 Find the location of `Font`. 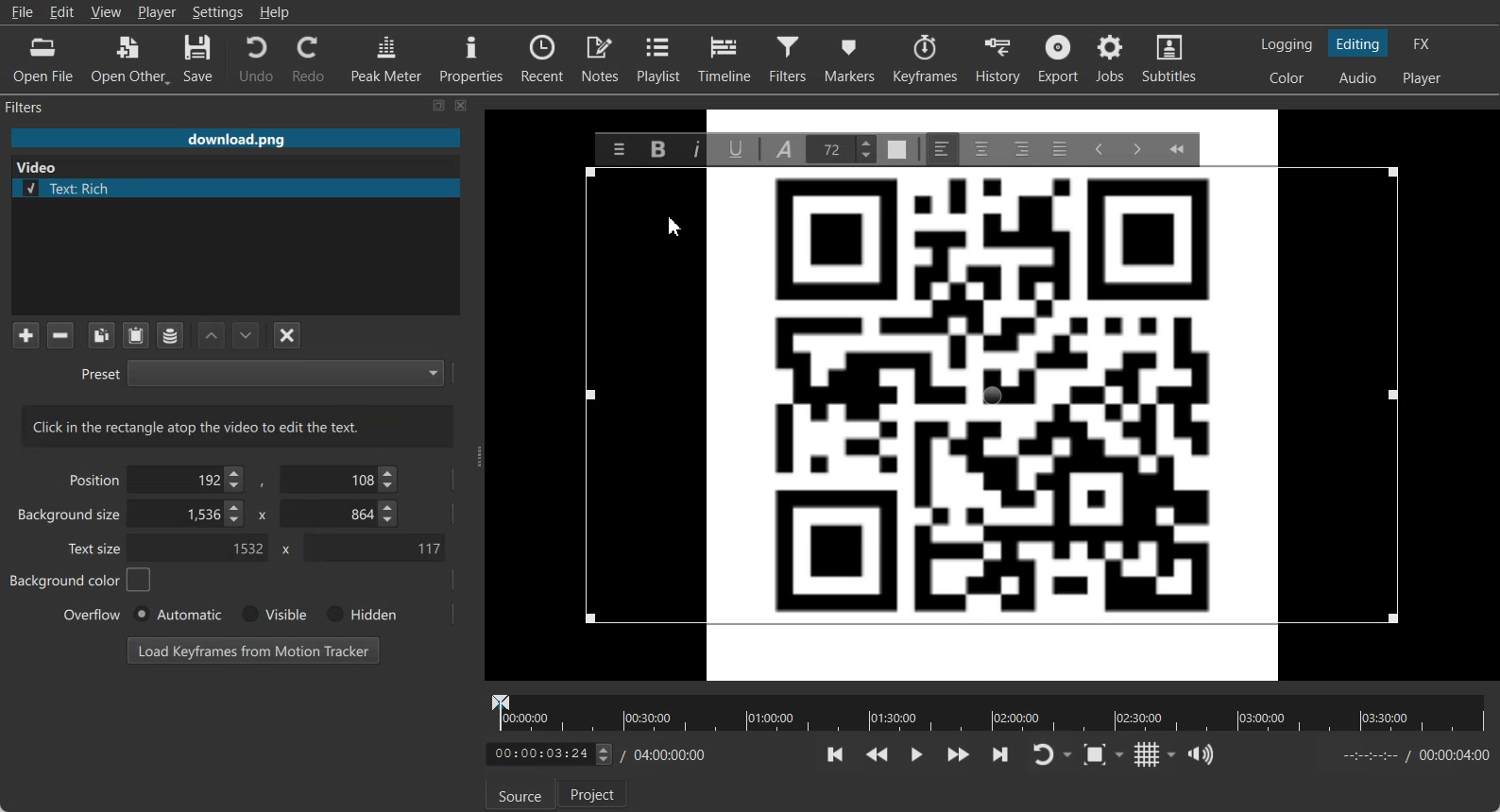

Font is located at coordinates (784, 149).